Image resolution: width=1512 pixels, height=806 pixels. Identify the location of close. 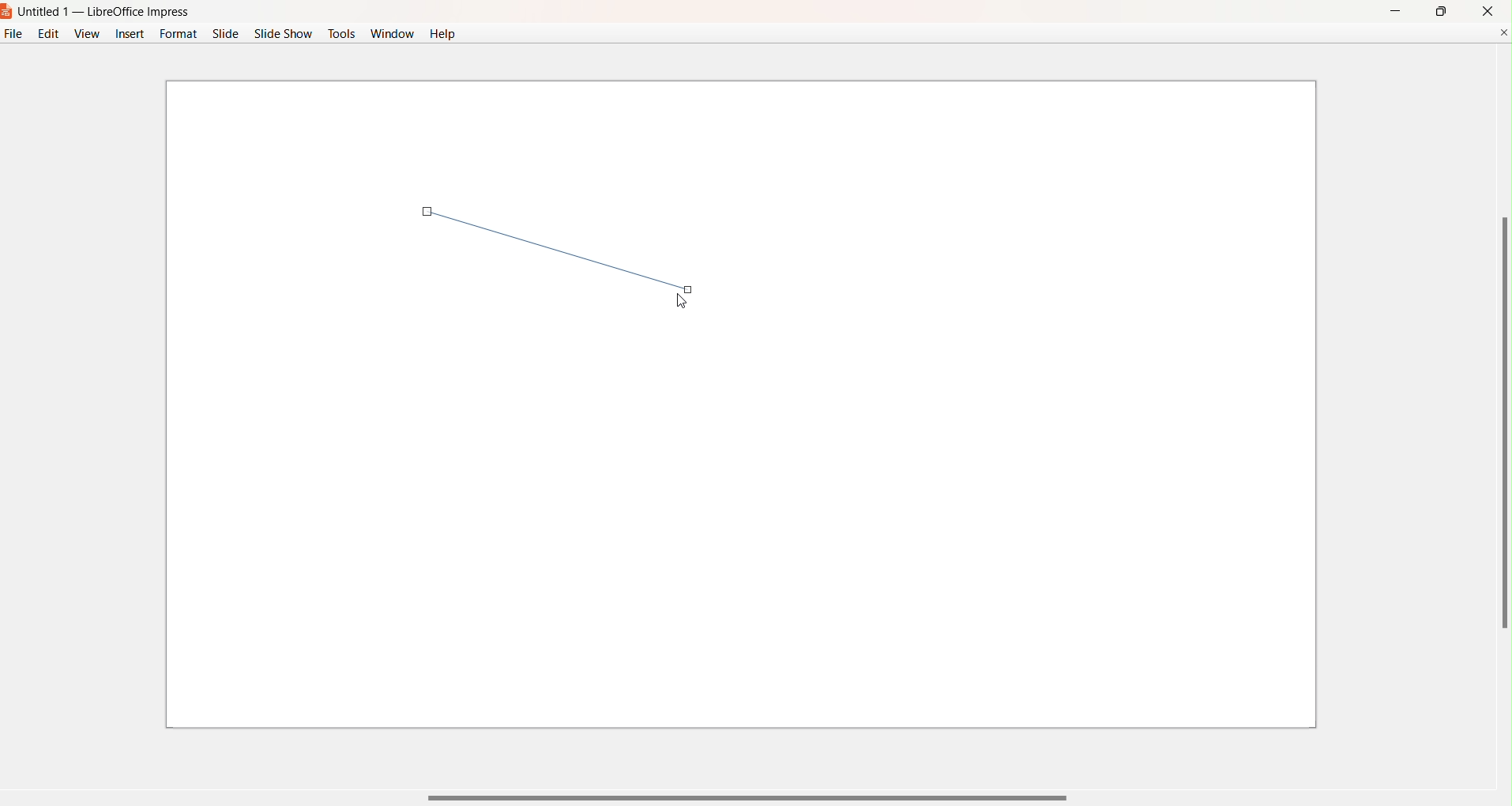
(1488, 10).